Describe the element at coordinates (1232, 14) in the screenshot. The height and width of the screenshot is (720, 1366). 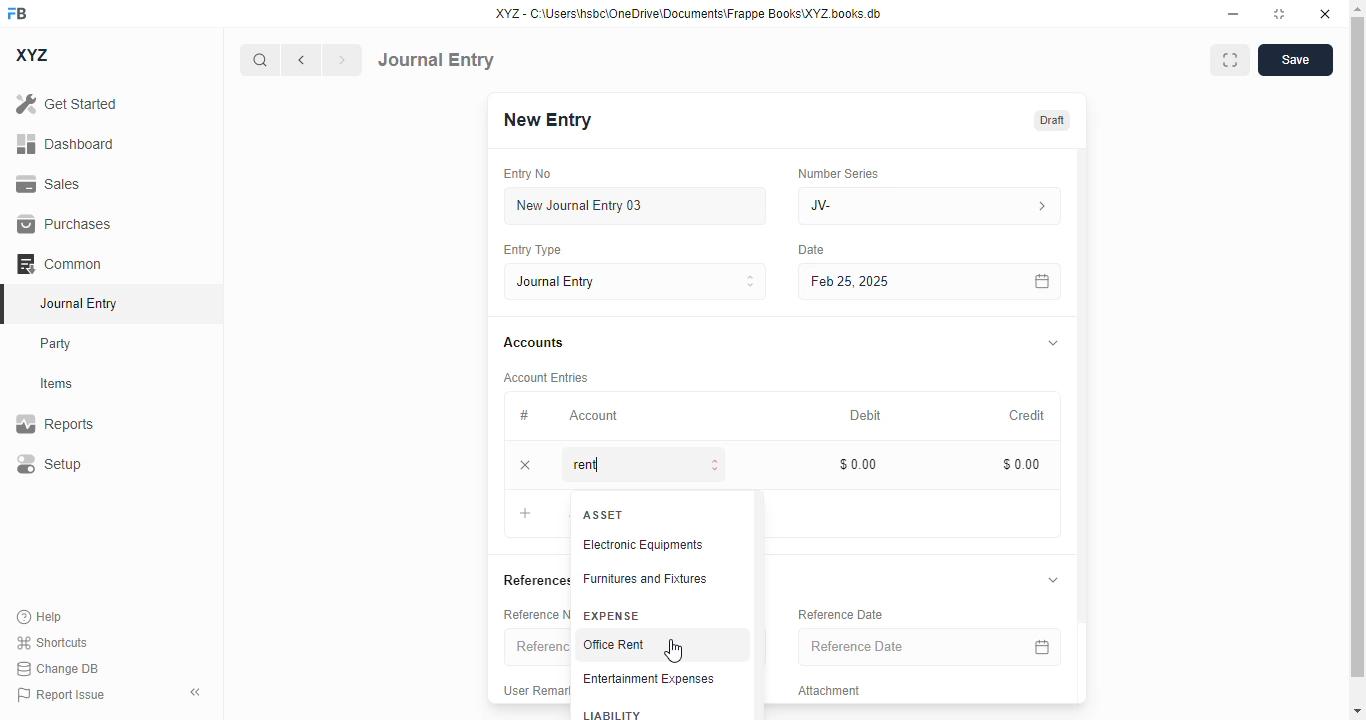
I see `minimize` at that location.